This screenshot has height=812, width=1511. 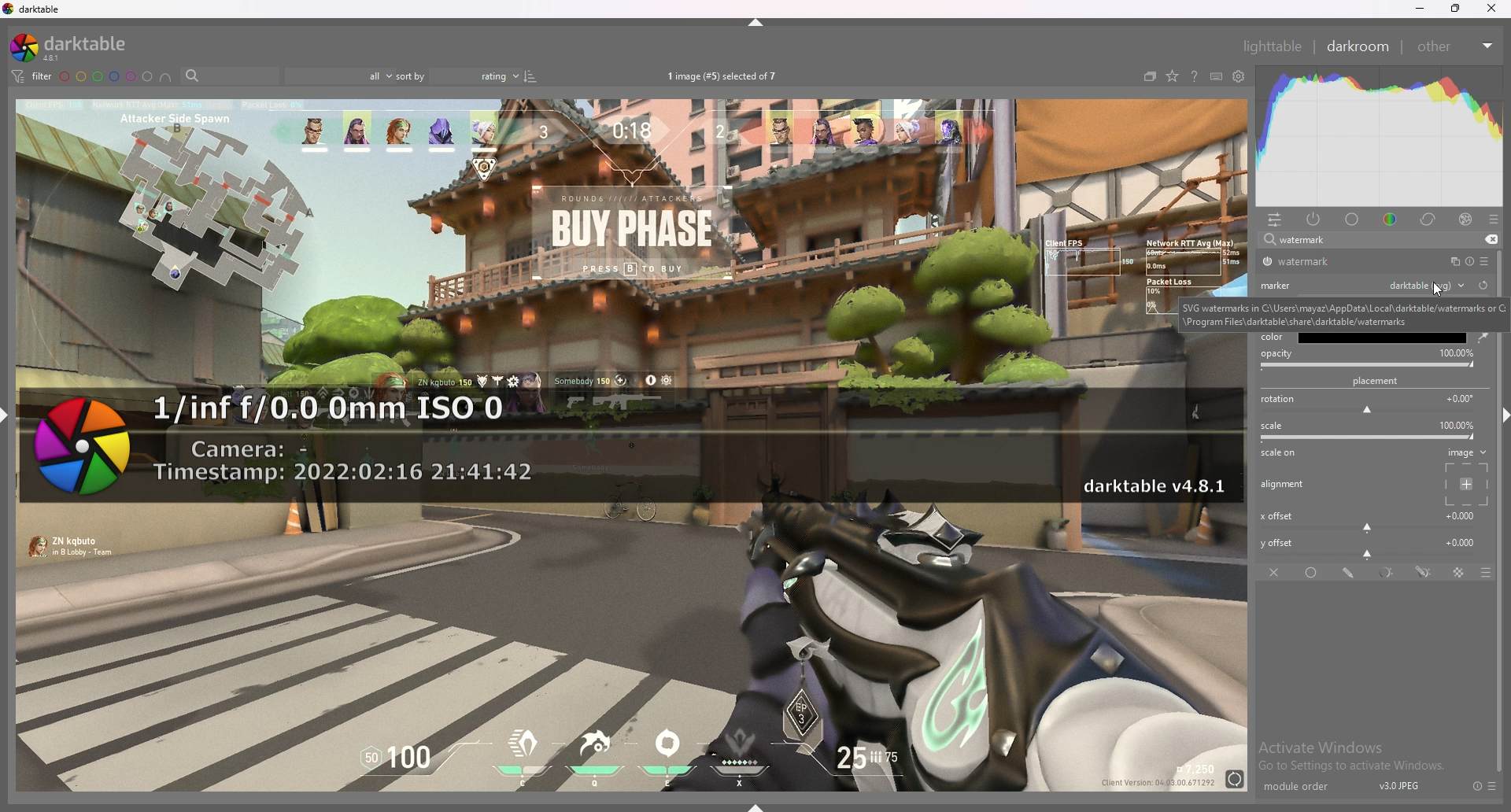 I want to click on help, so click(x=1194, y=78).